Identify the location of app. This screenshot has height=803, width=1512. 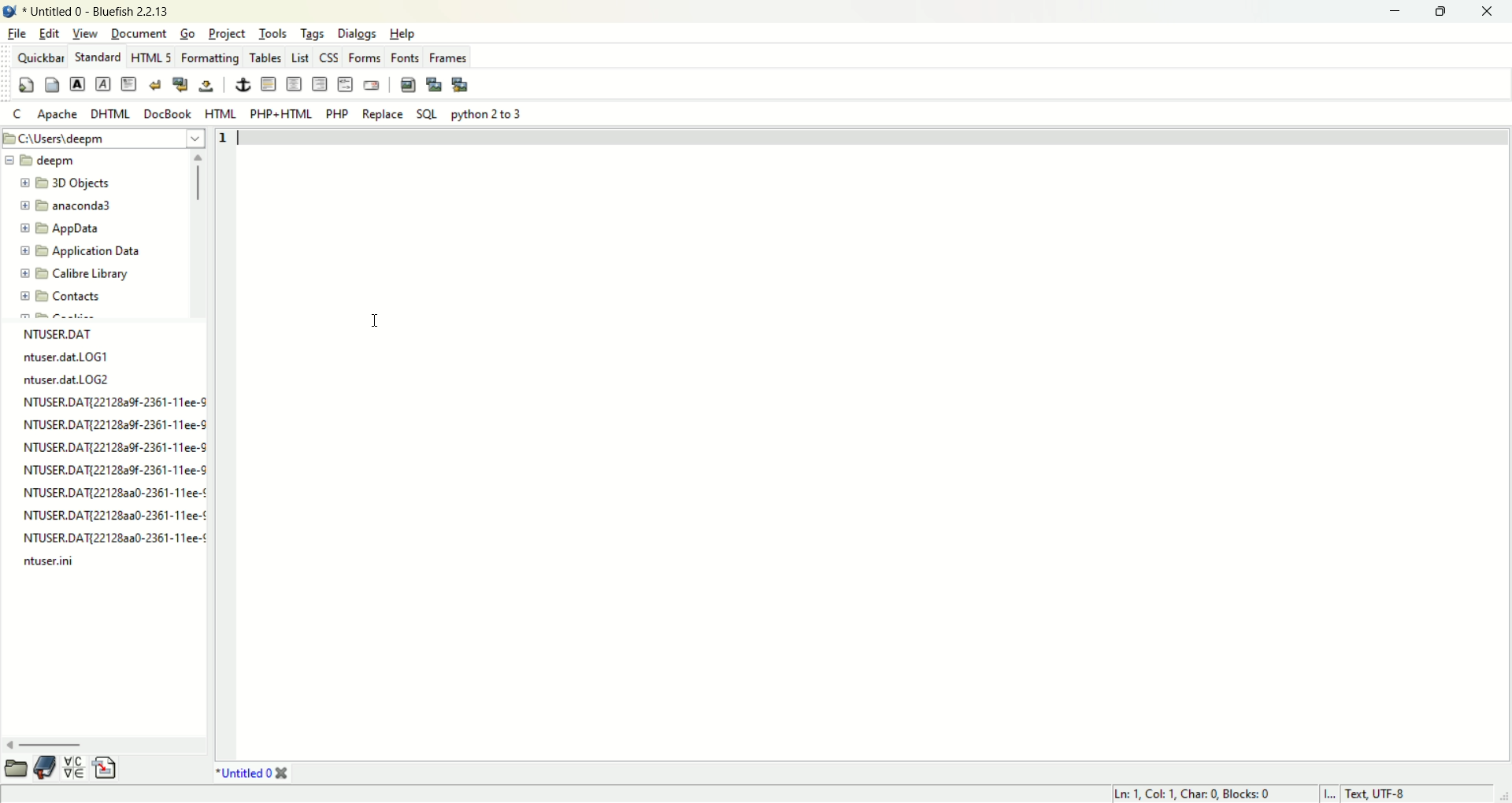
(65, 231).